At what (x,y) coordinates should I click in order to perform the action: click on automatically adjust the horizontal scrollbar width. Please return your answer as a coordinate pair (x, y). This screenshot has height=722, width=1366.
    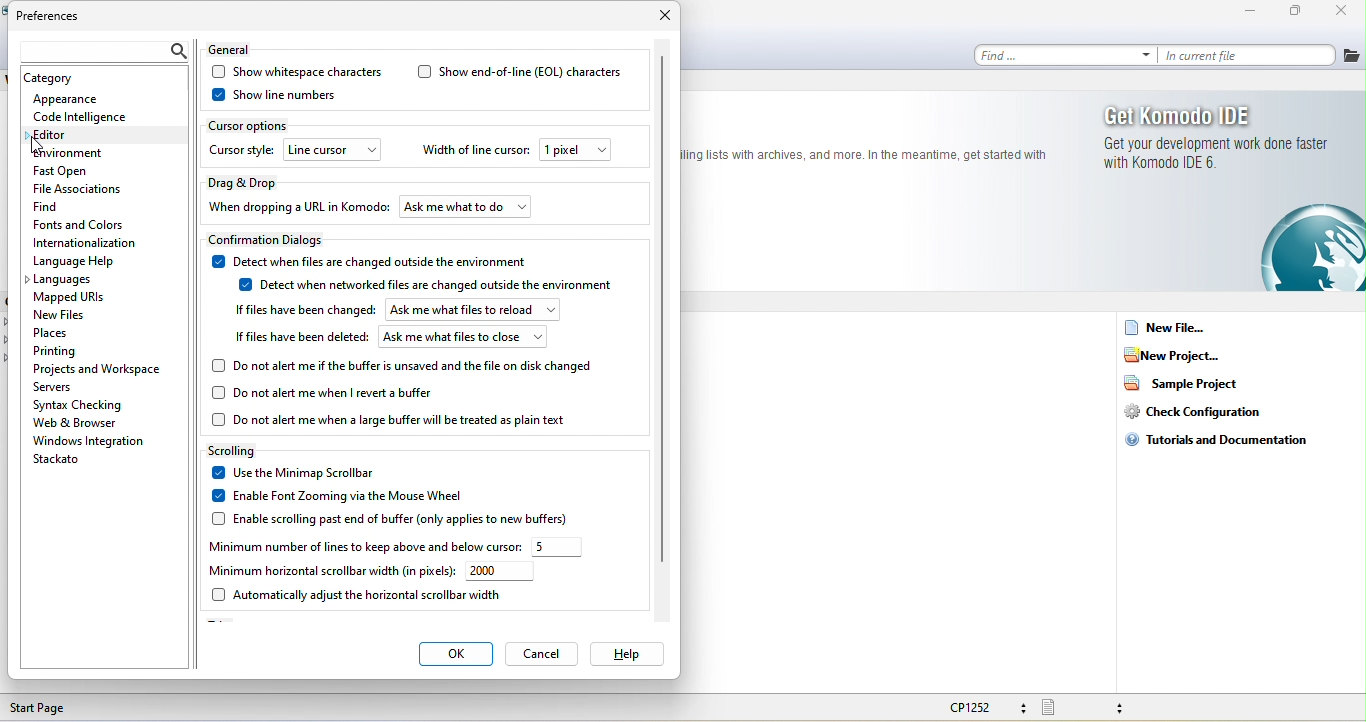
    Looking at the image, I should click on (356, 595).